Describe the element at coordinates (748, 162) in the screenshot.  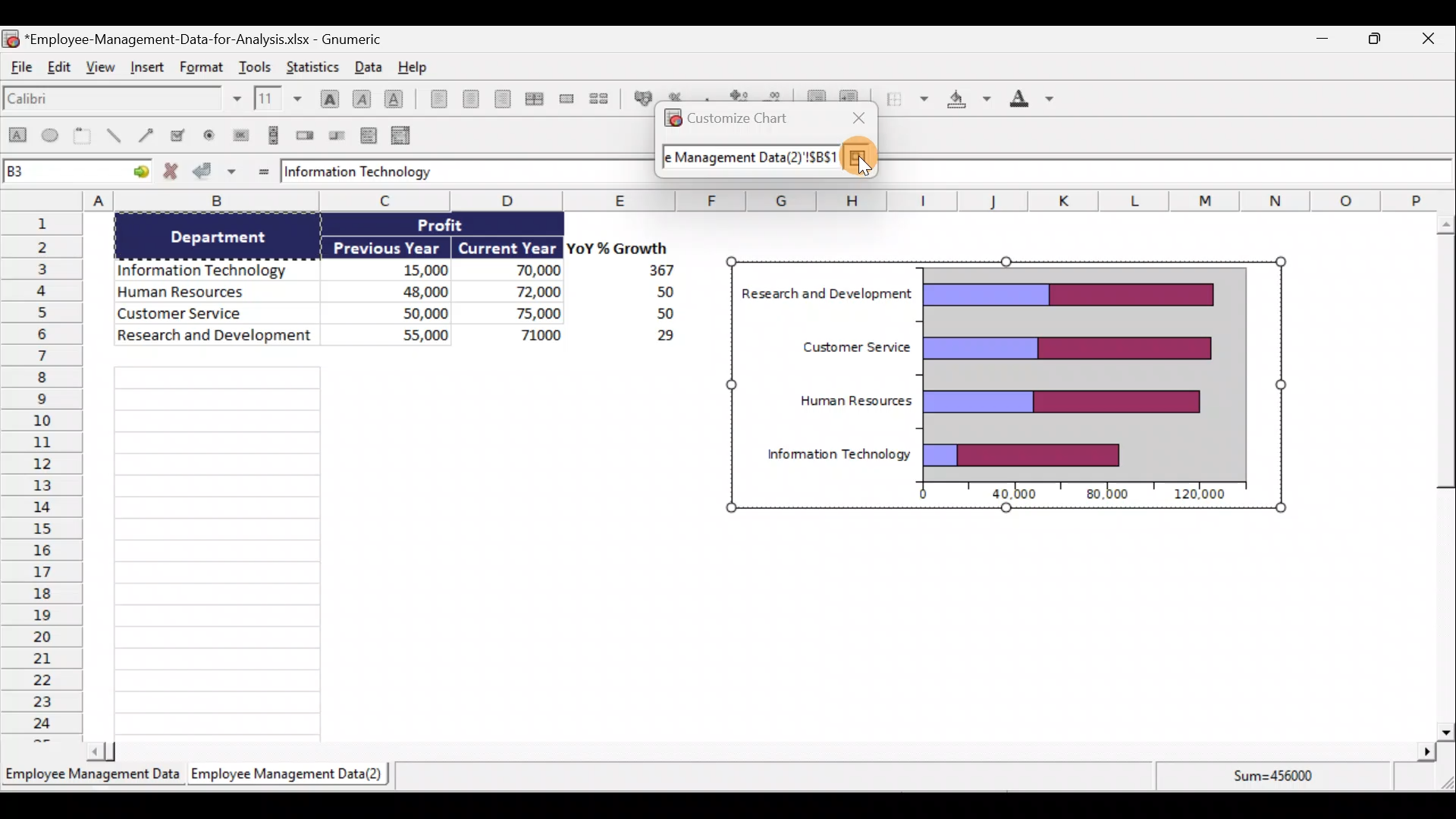
I see `e Management Data(2)!SBS1` at that location.